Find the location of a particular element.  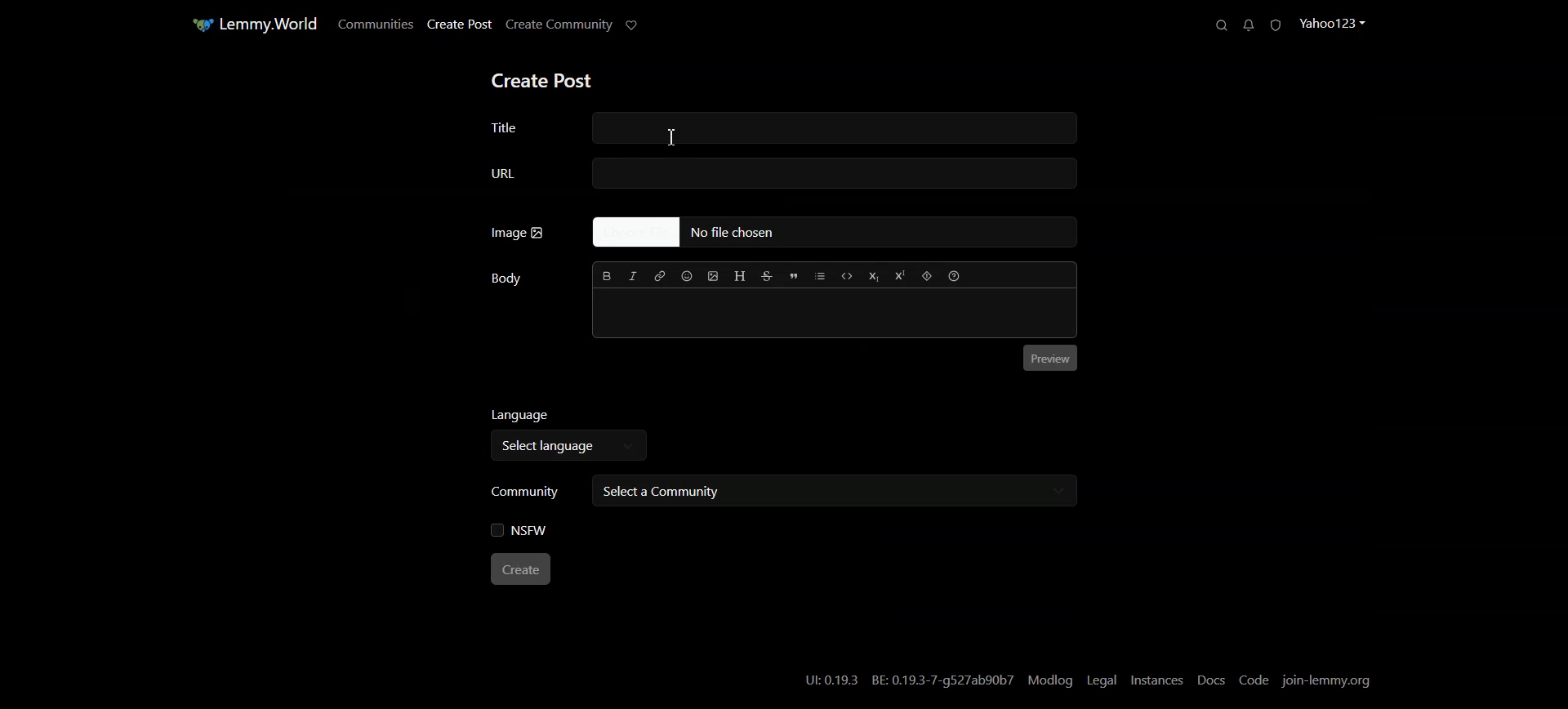

Language is located at coordinates (571, 417).